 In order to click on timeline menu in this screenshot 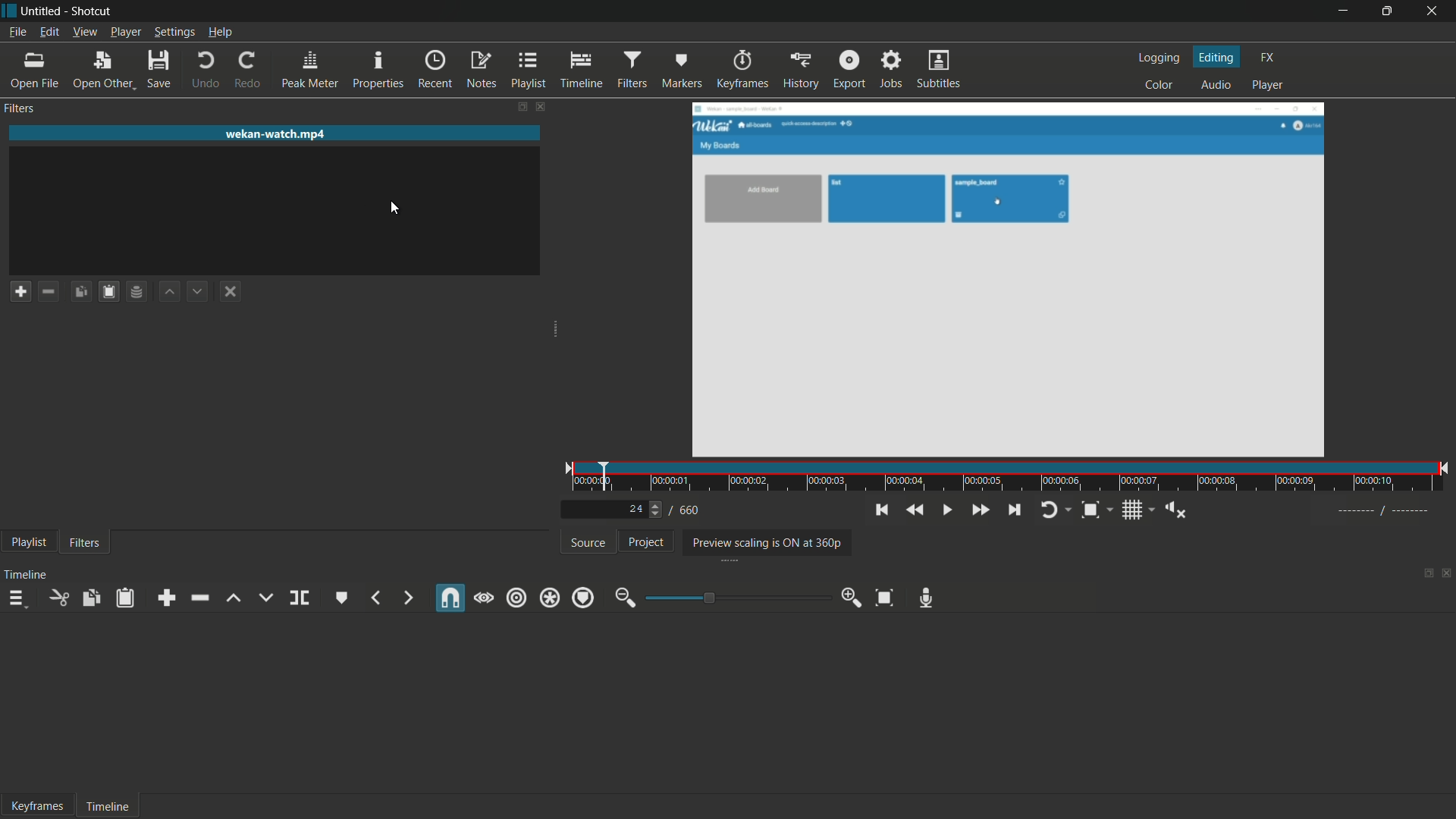, I will do `click(19, 598)`.